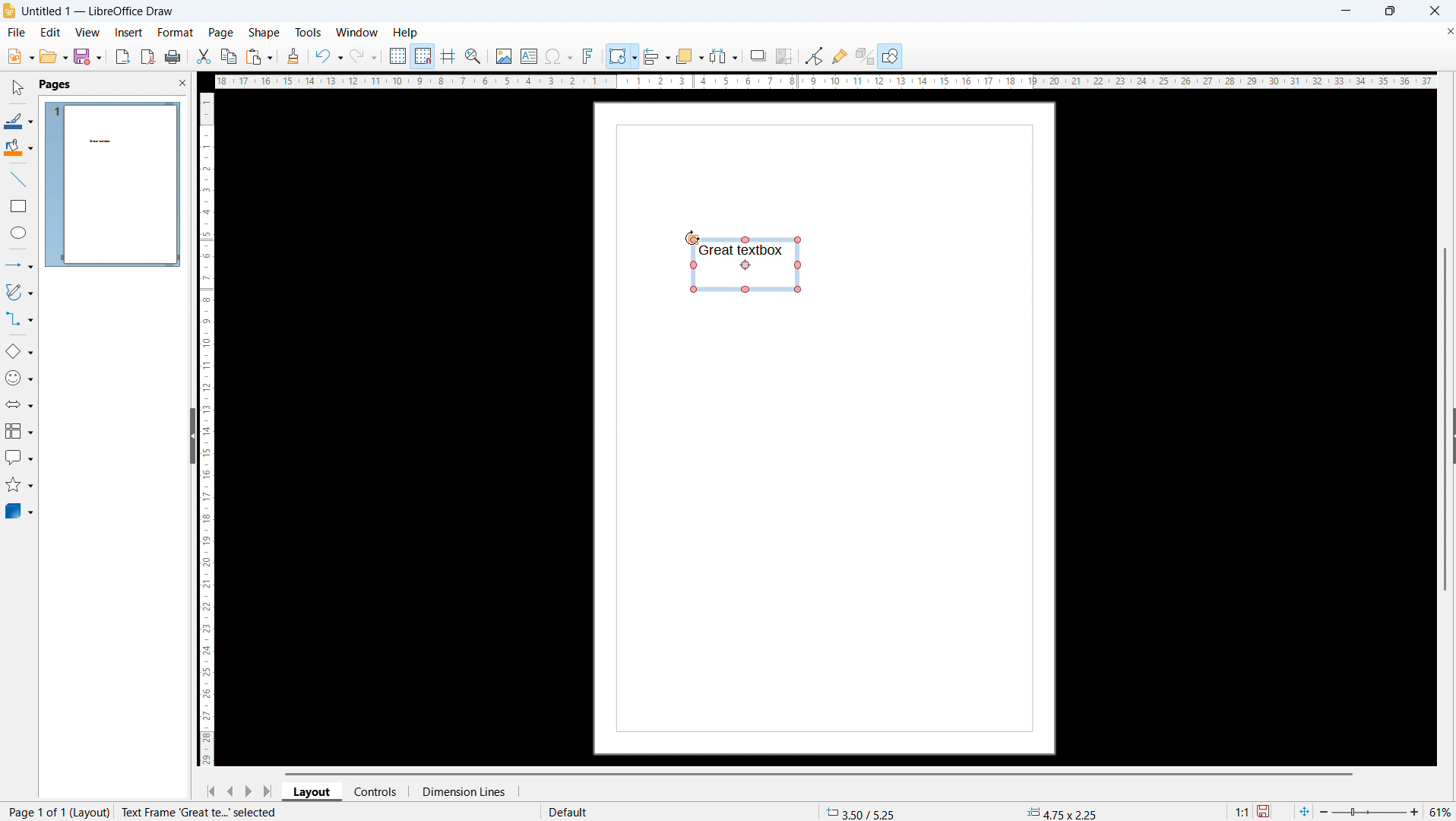 This screenshot has height=821, width=1456. Describe the element at coordinates (128, 33) in the screenshot. I see `insert` at that location.